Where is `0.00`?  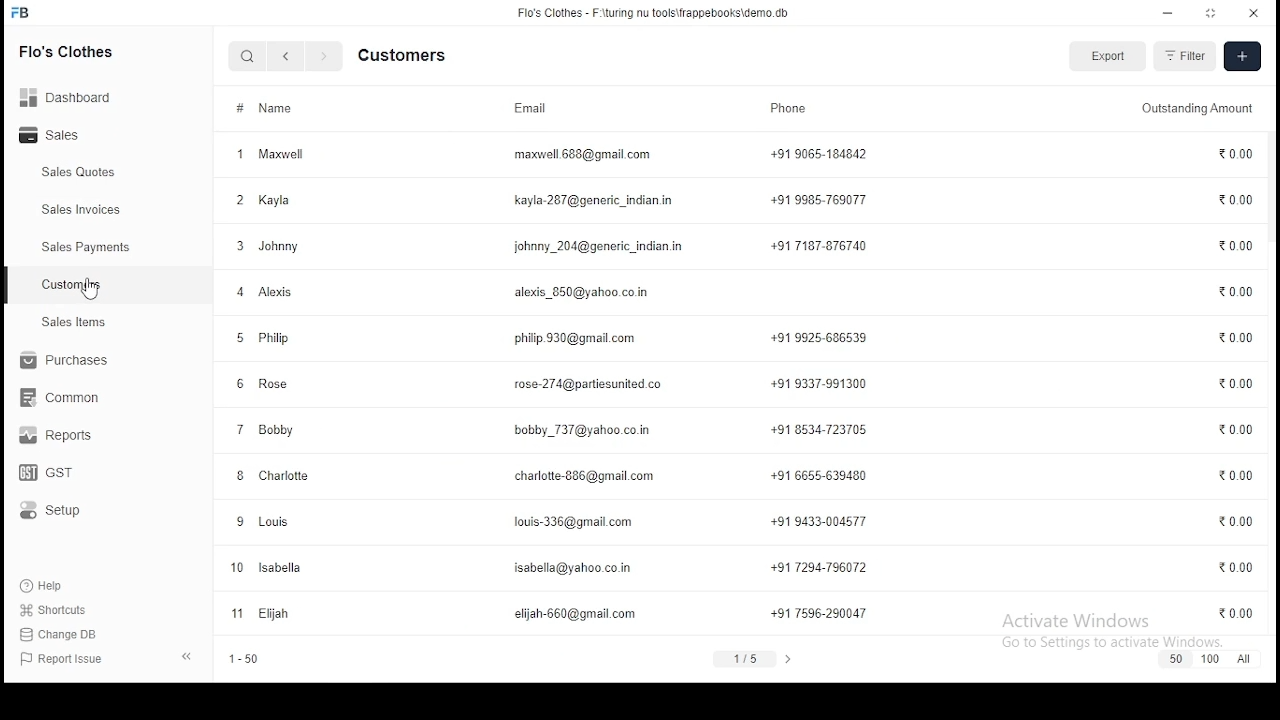 0.00 is located at coordinates (1233, 568).